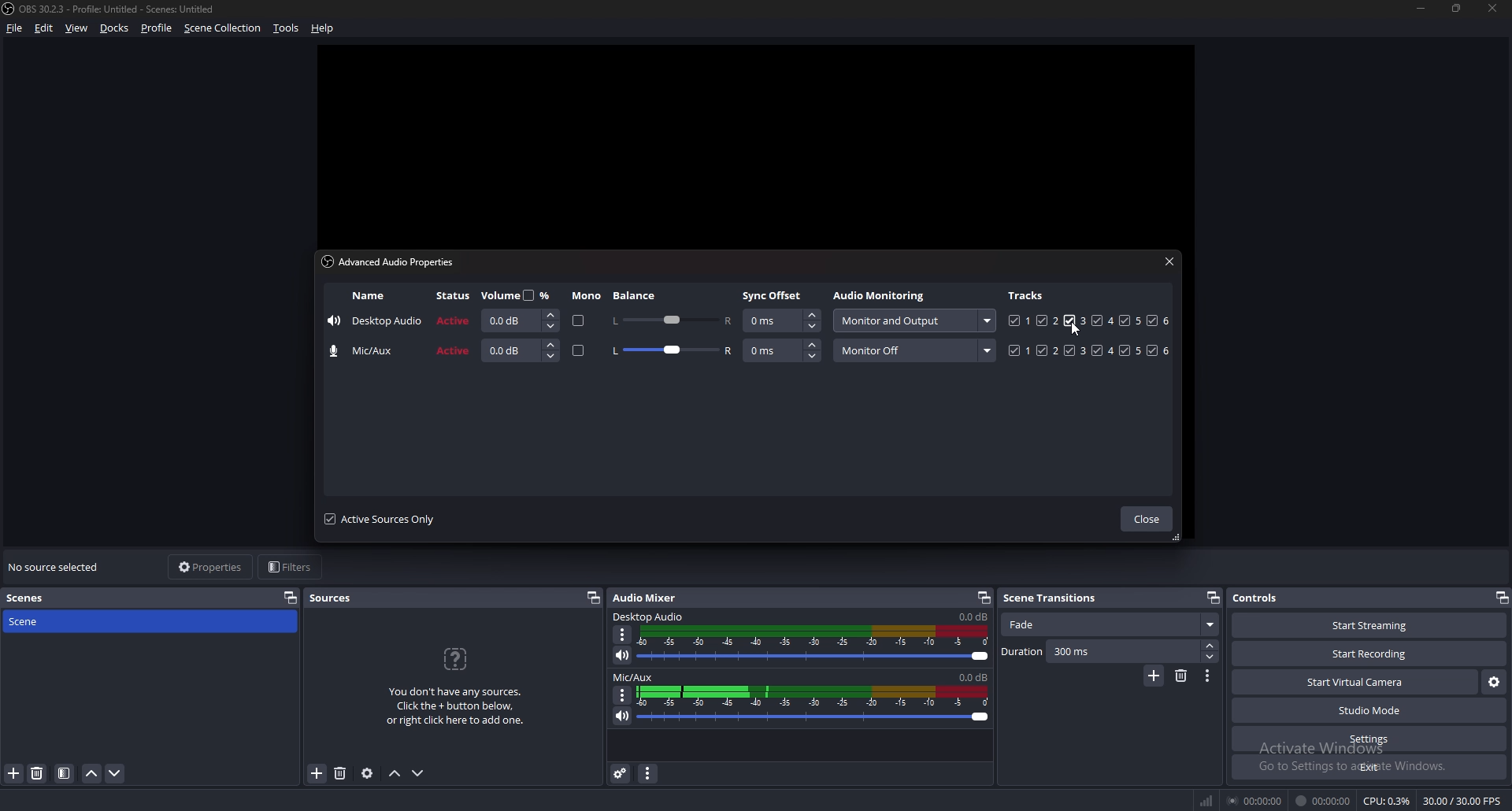 This screenshot has height=811, width=1512. Describe the element at coordinates (774, 295) in the screenshot. I see `sync offset` at that location.